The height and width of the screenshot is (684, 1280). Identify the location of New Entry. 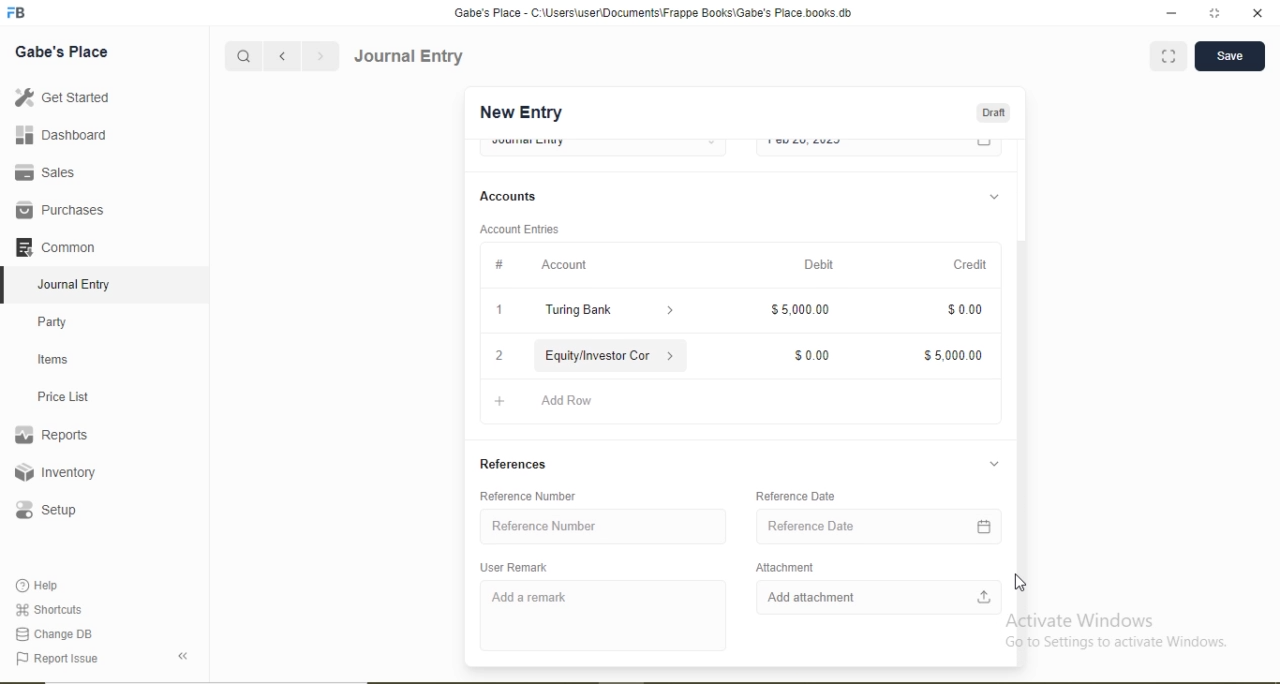
(520, 113).